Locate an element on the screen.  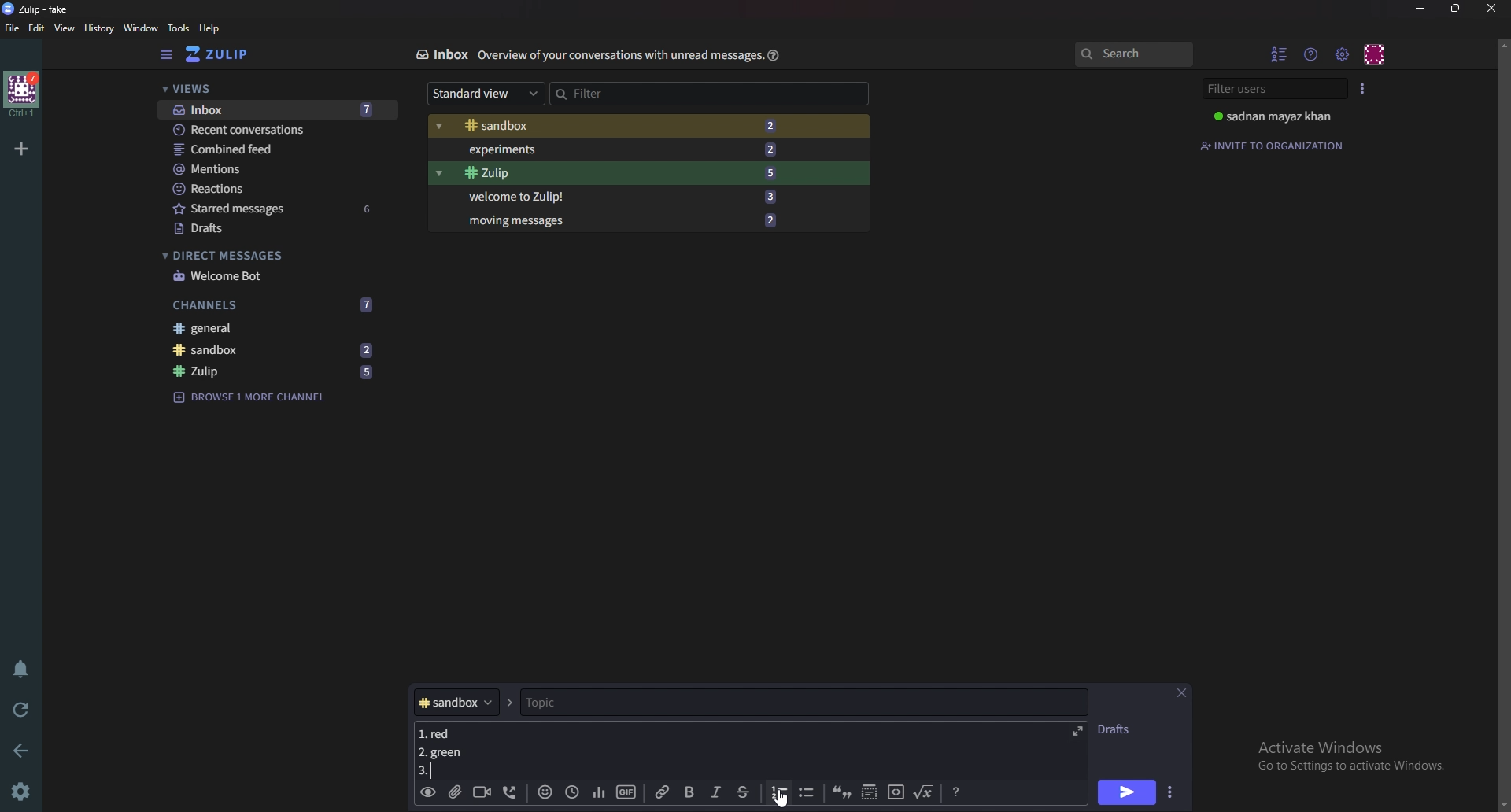
Filter is located at coordinates (621, 91).